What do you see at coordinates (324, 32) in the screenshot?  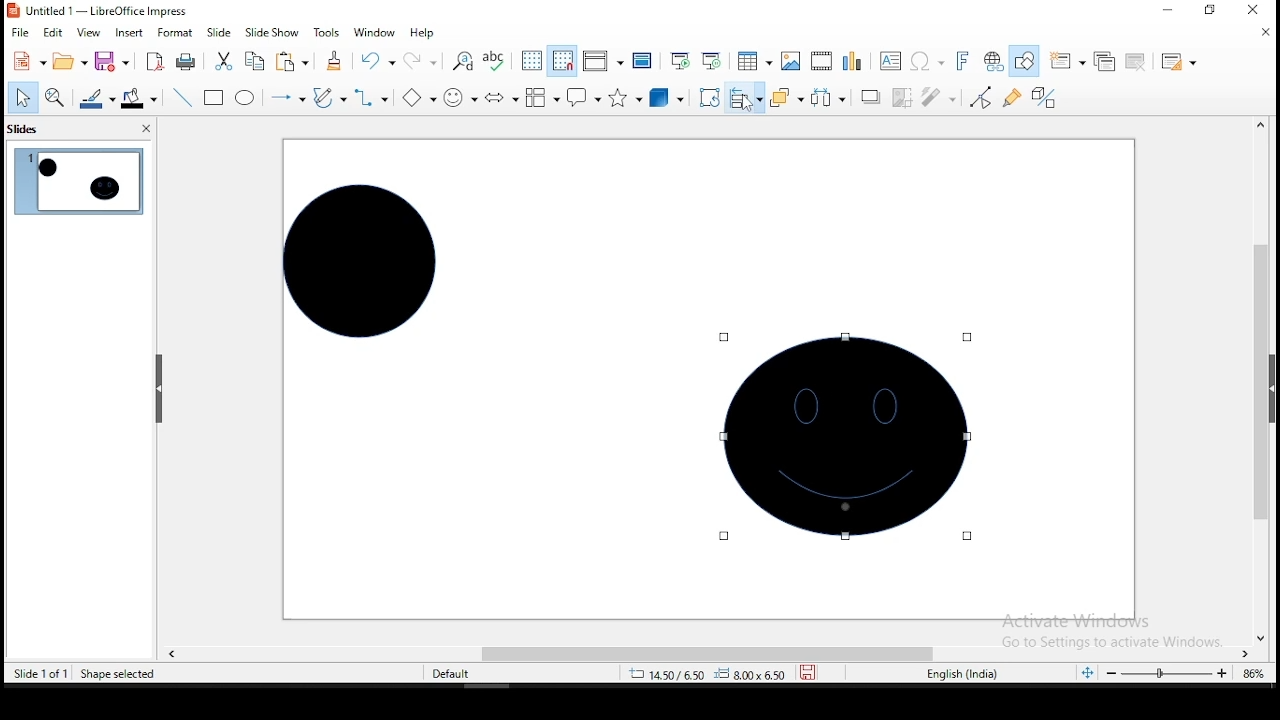 I see `tools` at bounding box center [324, 32].